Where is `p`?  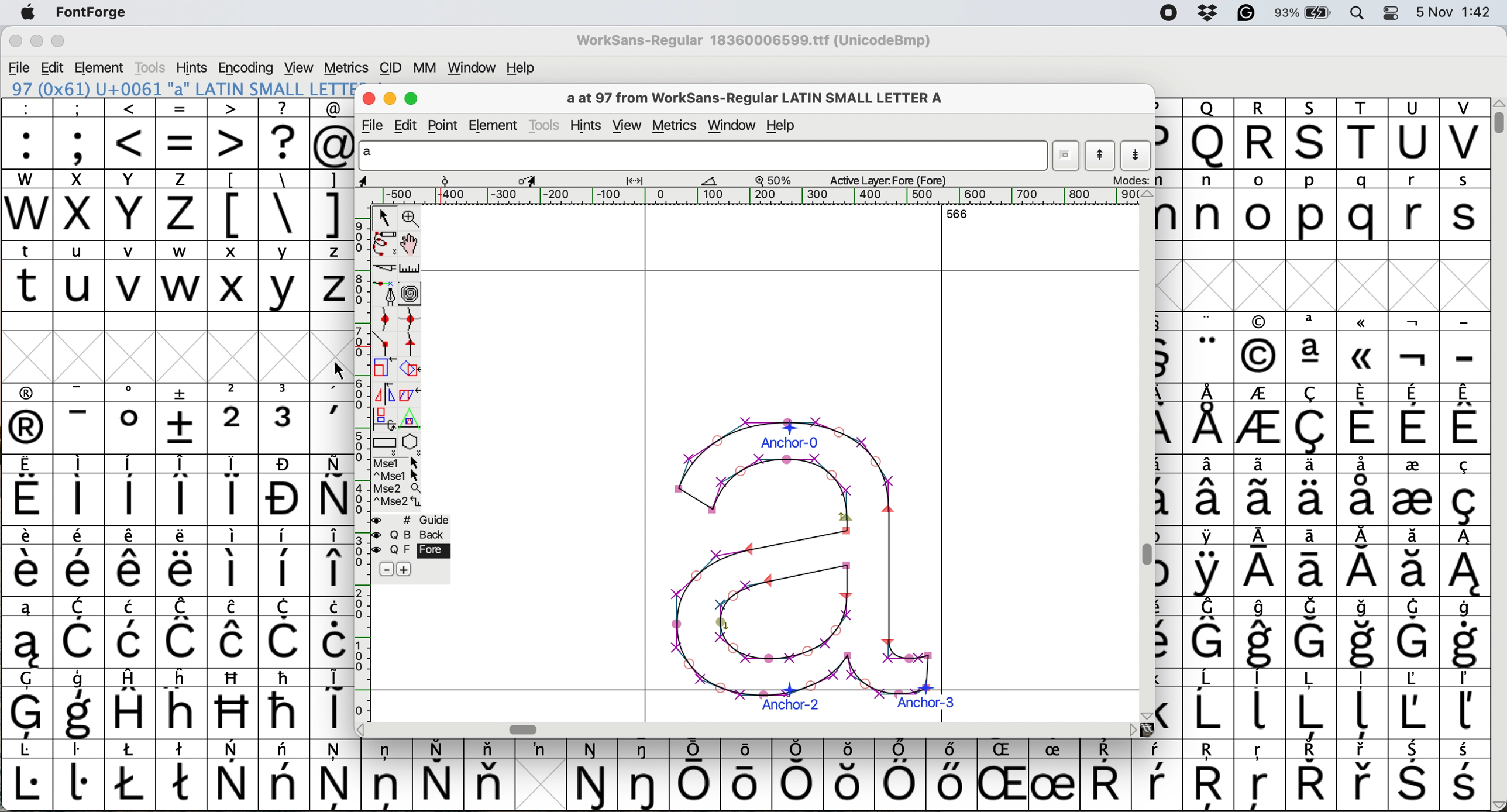 p is located at coordinates (1312, 207).